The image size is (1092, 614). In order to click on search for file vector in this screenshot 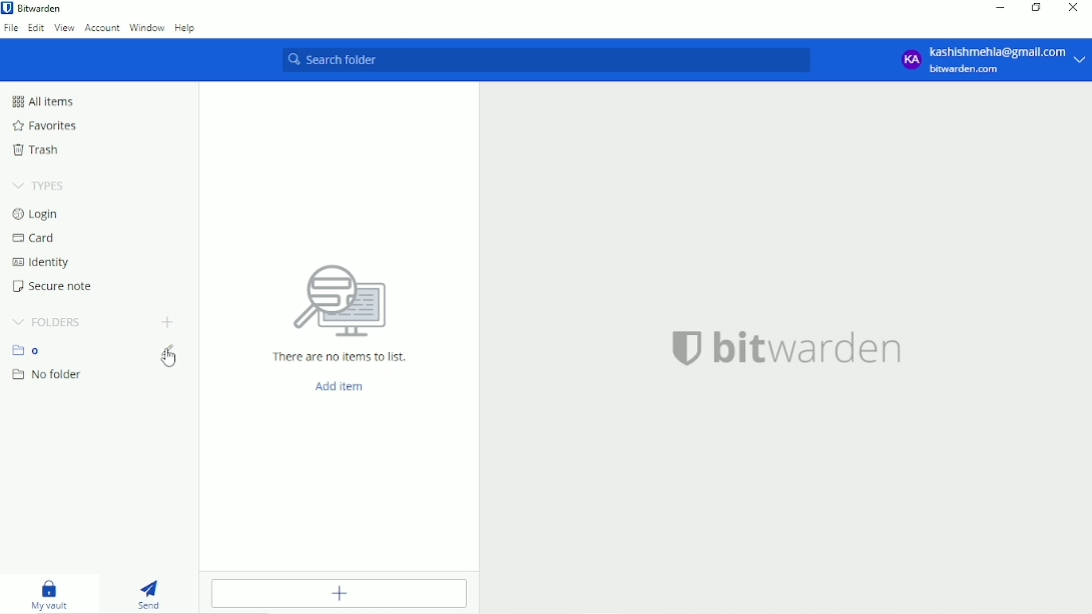, I will do `click(338, 300)`.